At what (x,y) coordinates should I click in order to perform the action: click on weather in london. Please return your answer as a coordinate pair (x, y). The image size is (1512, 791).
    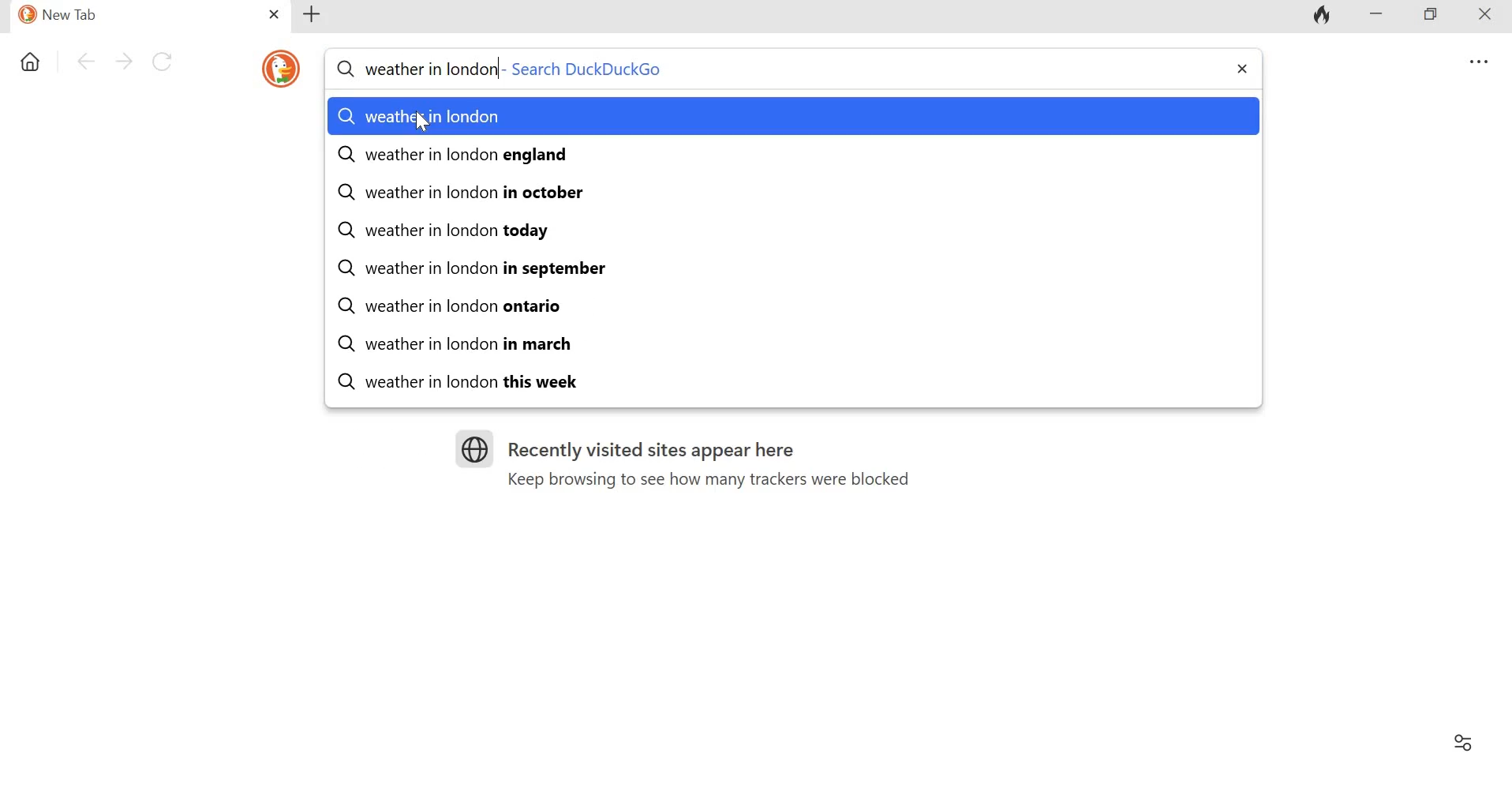
    Looking at the image, I should click on (432, 69).